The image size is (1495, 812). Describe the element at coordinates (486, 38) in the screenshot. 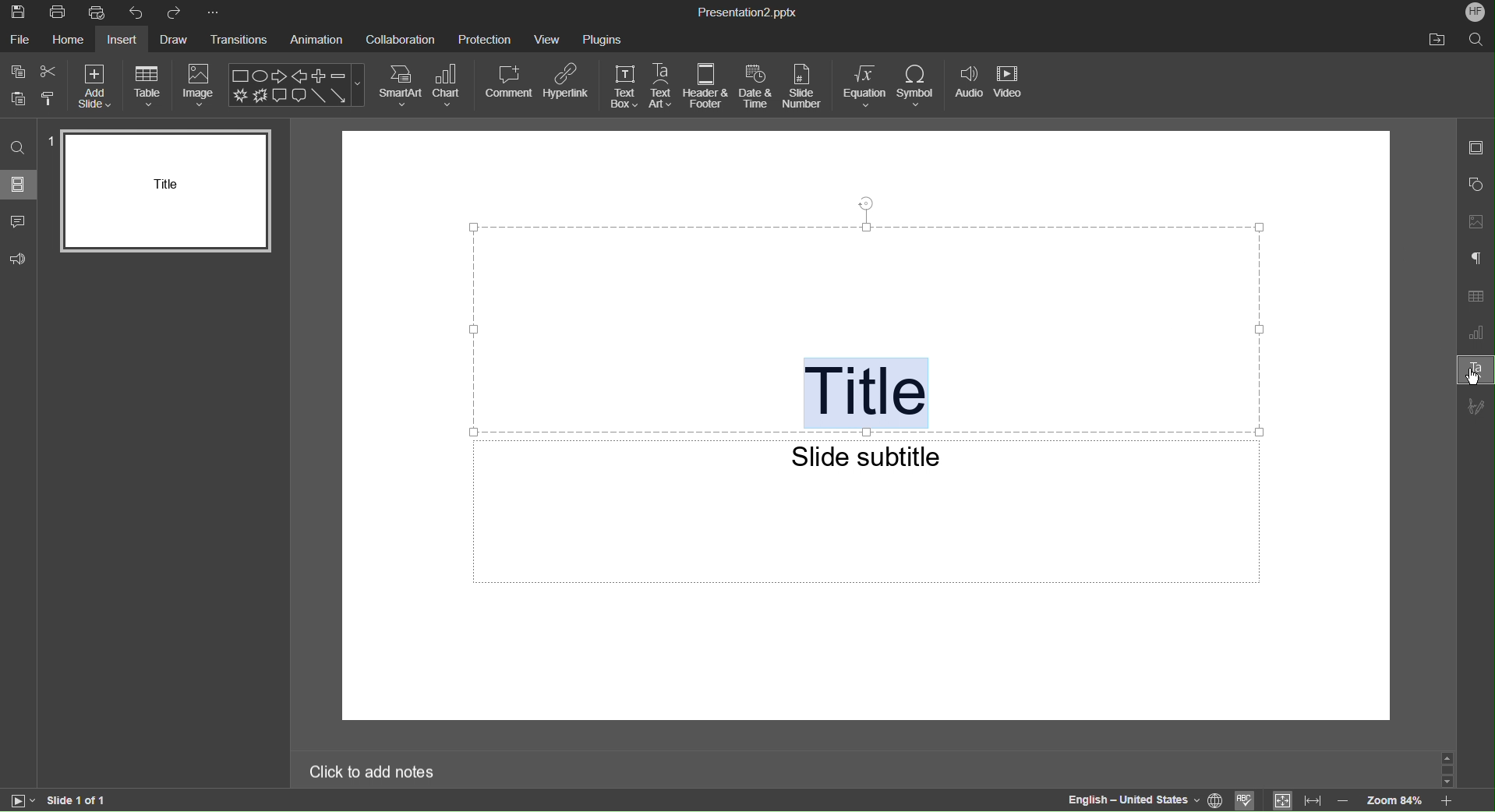

I see `Protection` at that location.